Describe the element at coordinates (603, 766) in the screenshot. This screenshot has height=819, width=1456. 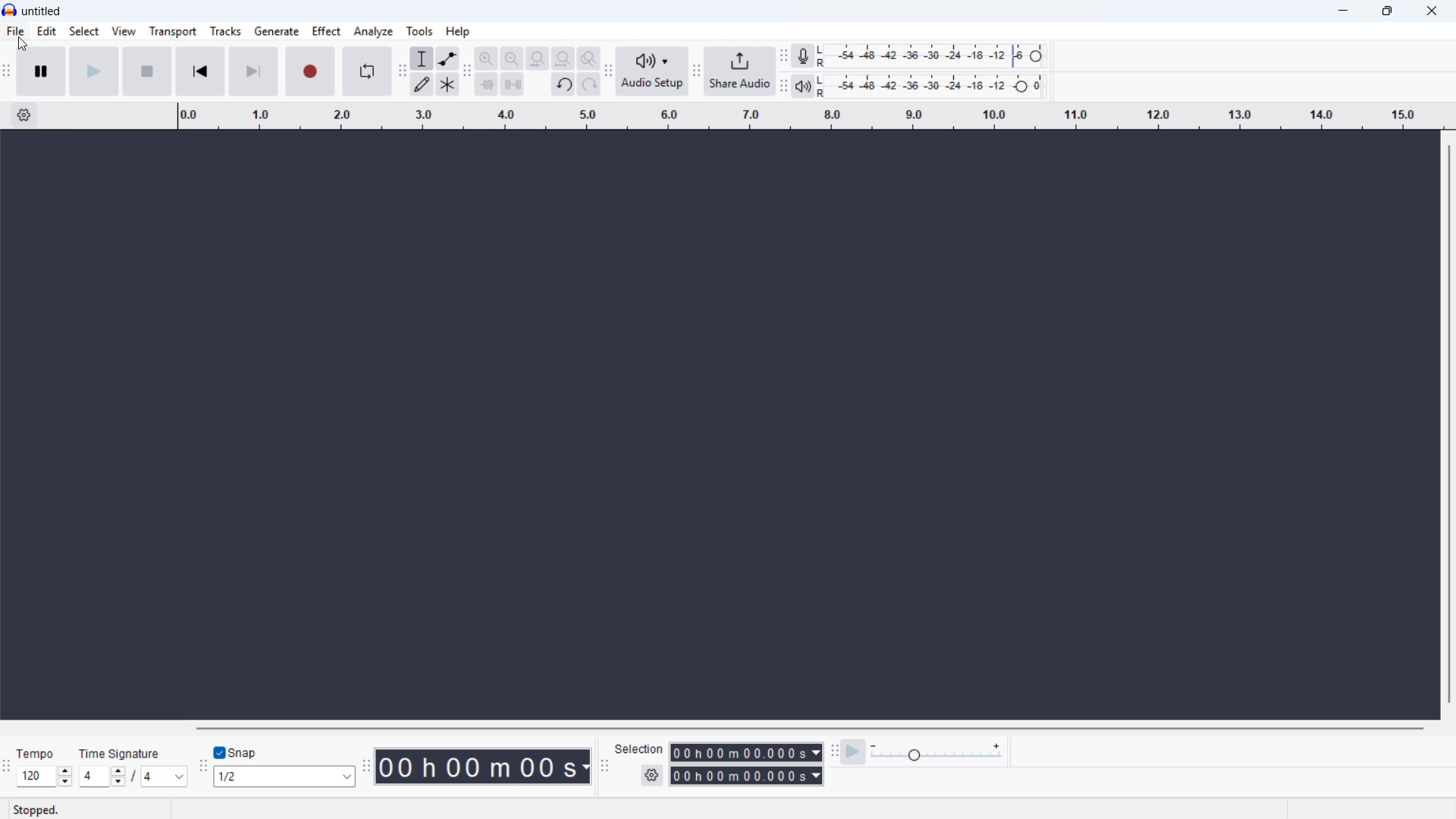
I see `Selection toolbar ` at that location.